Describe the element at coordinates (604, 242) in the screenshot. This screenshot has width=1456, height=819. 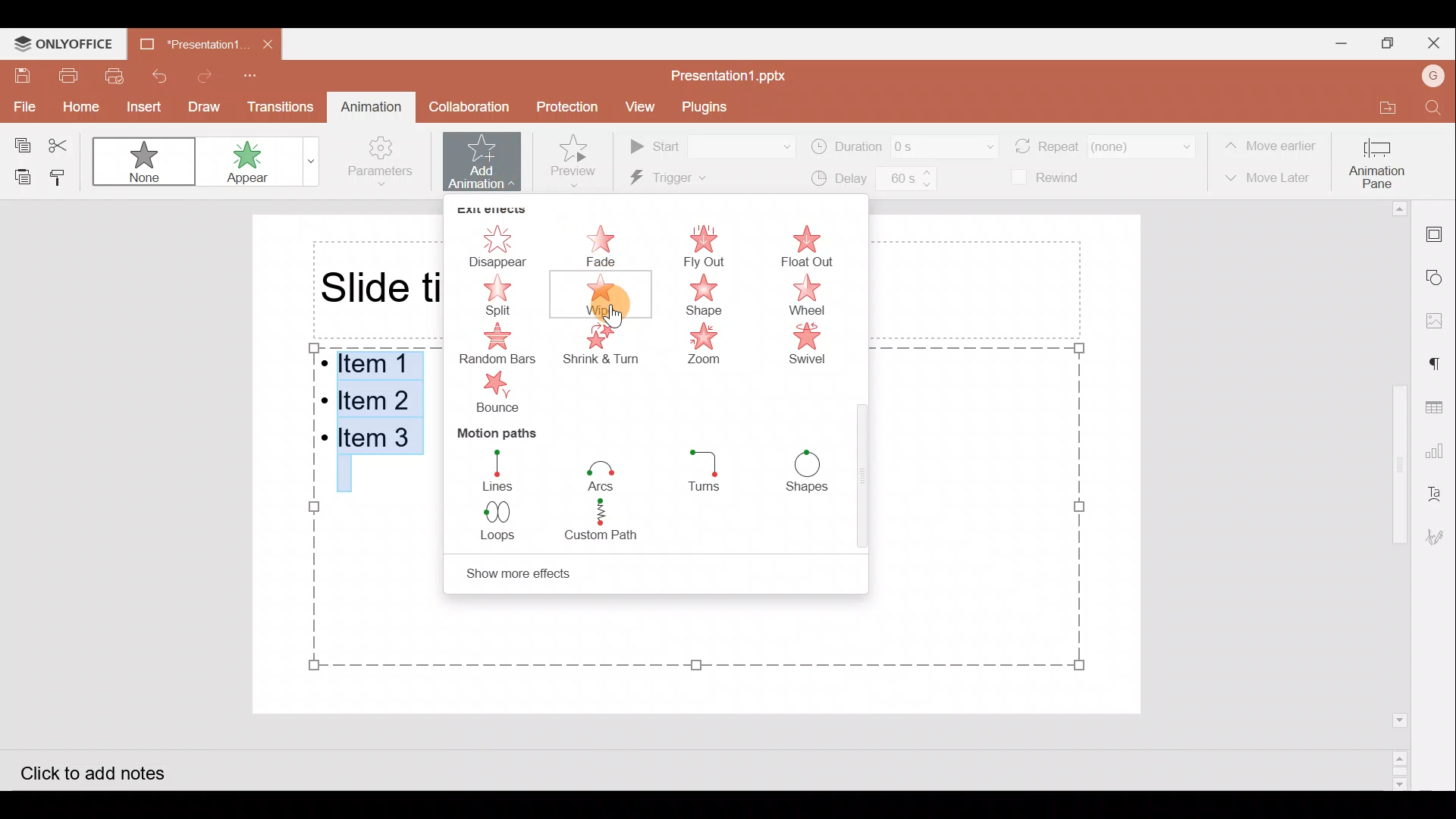
I see `Fade` at that location.